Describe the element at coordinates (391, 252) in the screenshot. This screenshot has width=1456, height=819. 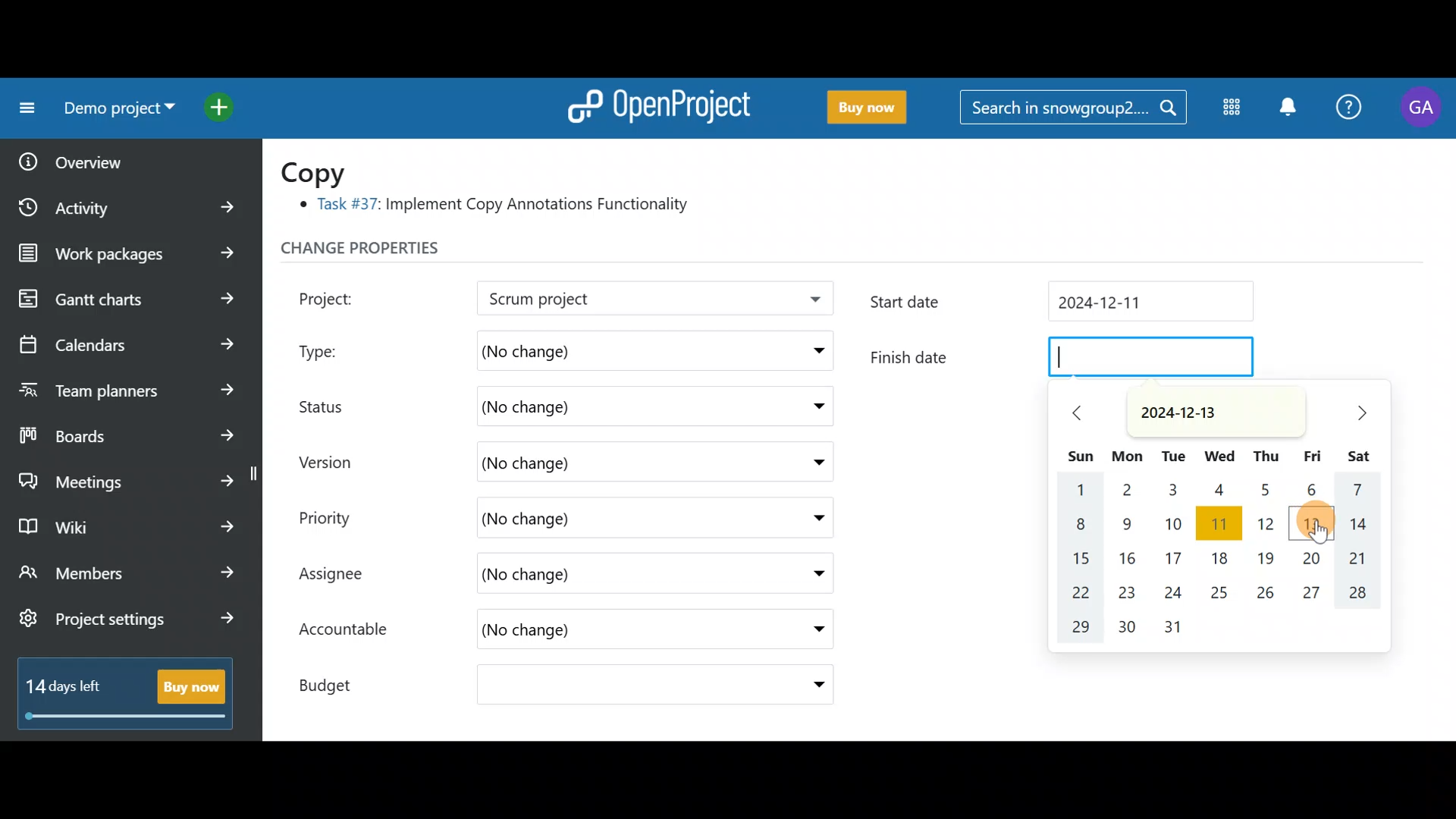
I see `Change properties` at that location.